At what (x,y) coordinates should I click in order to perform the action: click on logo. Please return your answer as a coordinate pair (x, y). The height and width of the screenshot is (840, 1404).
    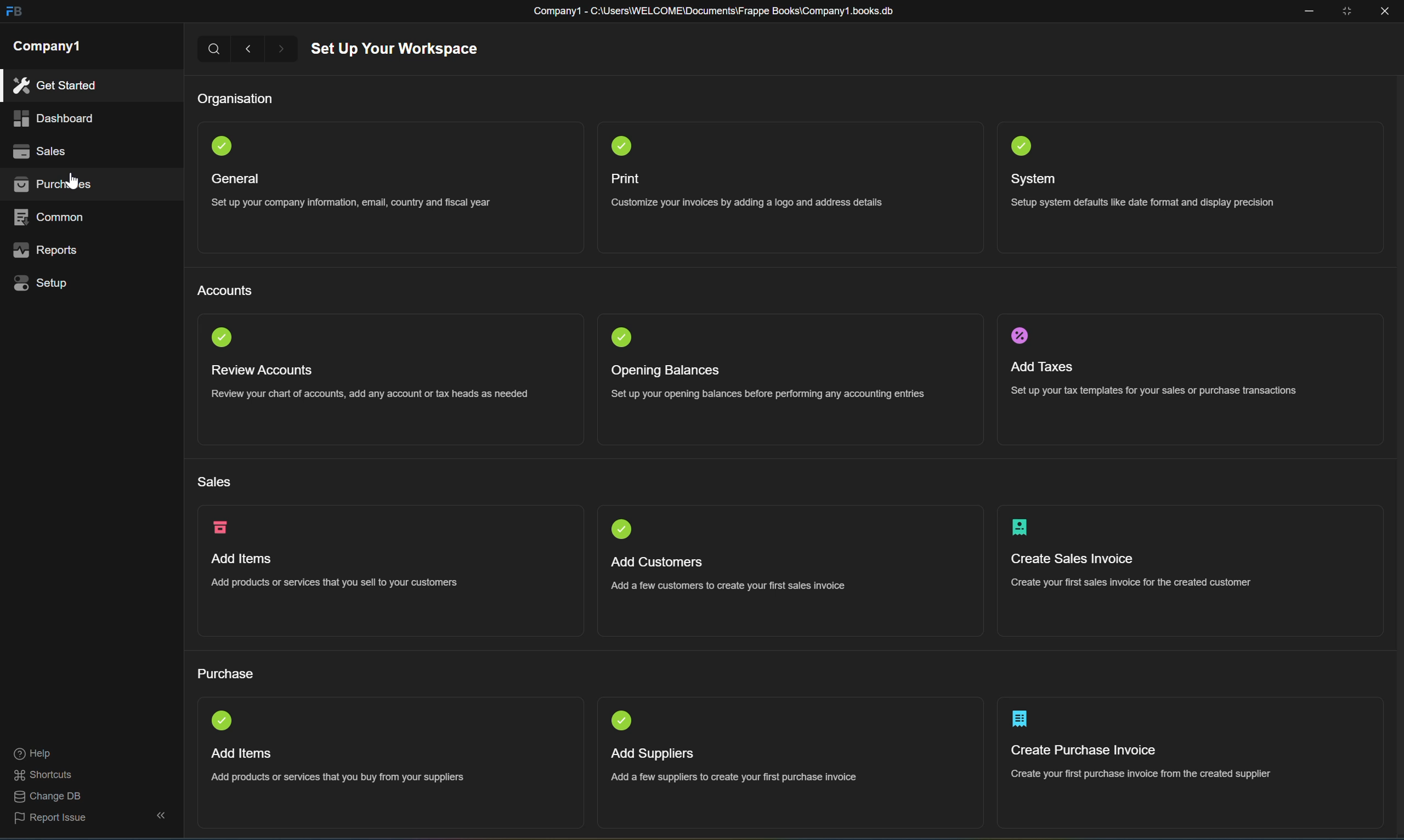
    Looking at the image, I should click on (1019, 147).